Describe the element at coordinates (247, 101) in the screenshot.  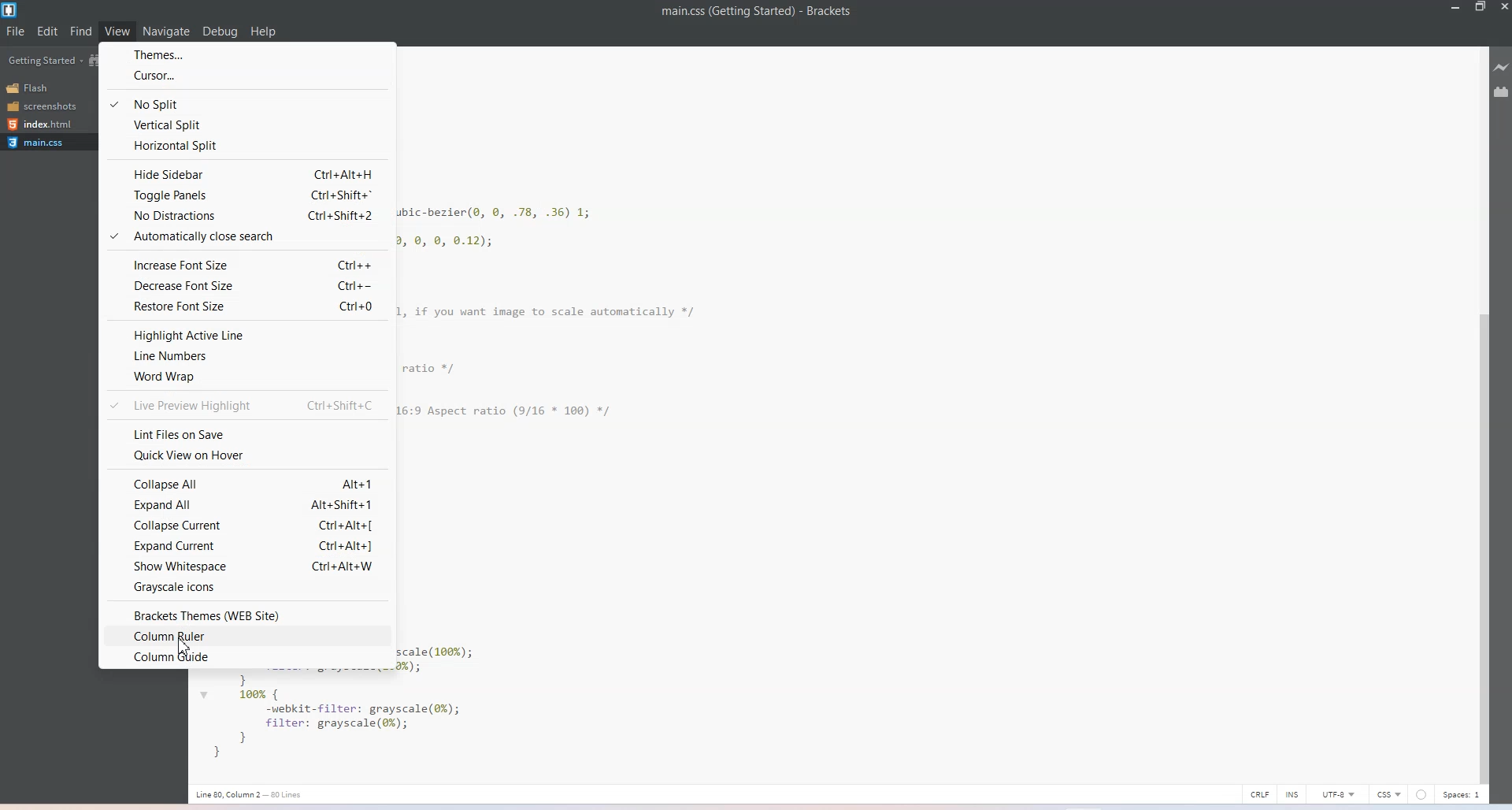
I see `No Split` at that location.